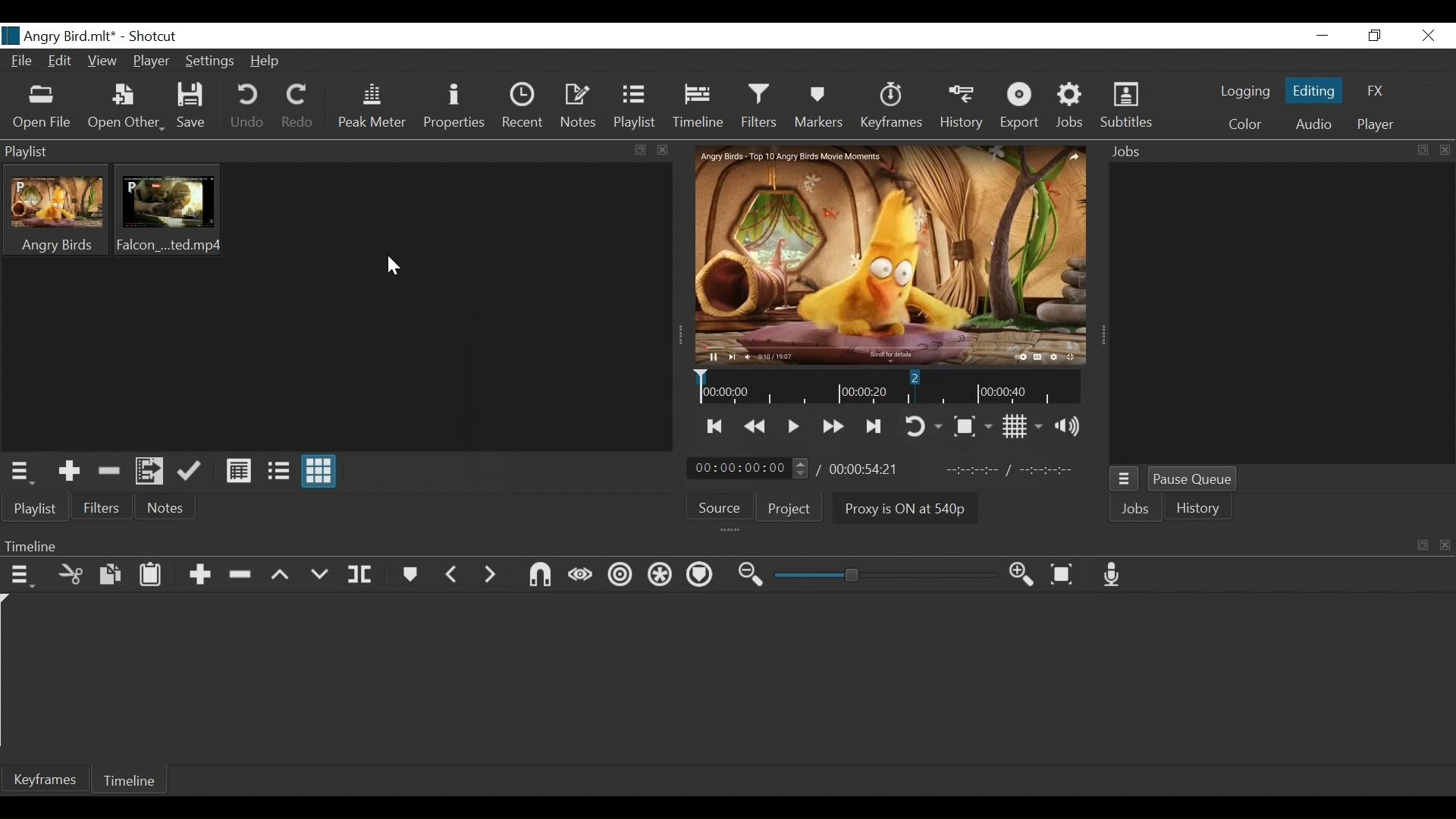 The height and width of the screenshot is (819, 1456). I want to click on Timeline, so click(699, 107).